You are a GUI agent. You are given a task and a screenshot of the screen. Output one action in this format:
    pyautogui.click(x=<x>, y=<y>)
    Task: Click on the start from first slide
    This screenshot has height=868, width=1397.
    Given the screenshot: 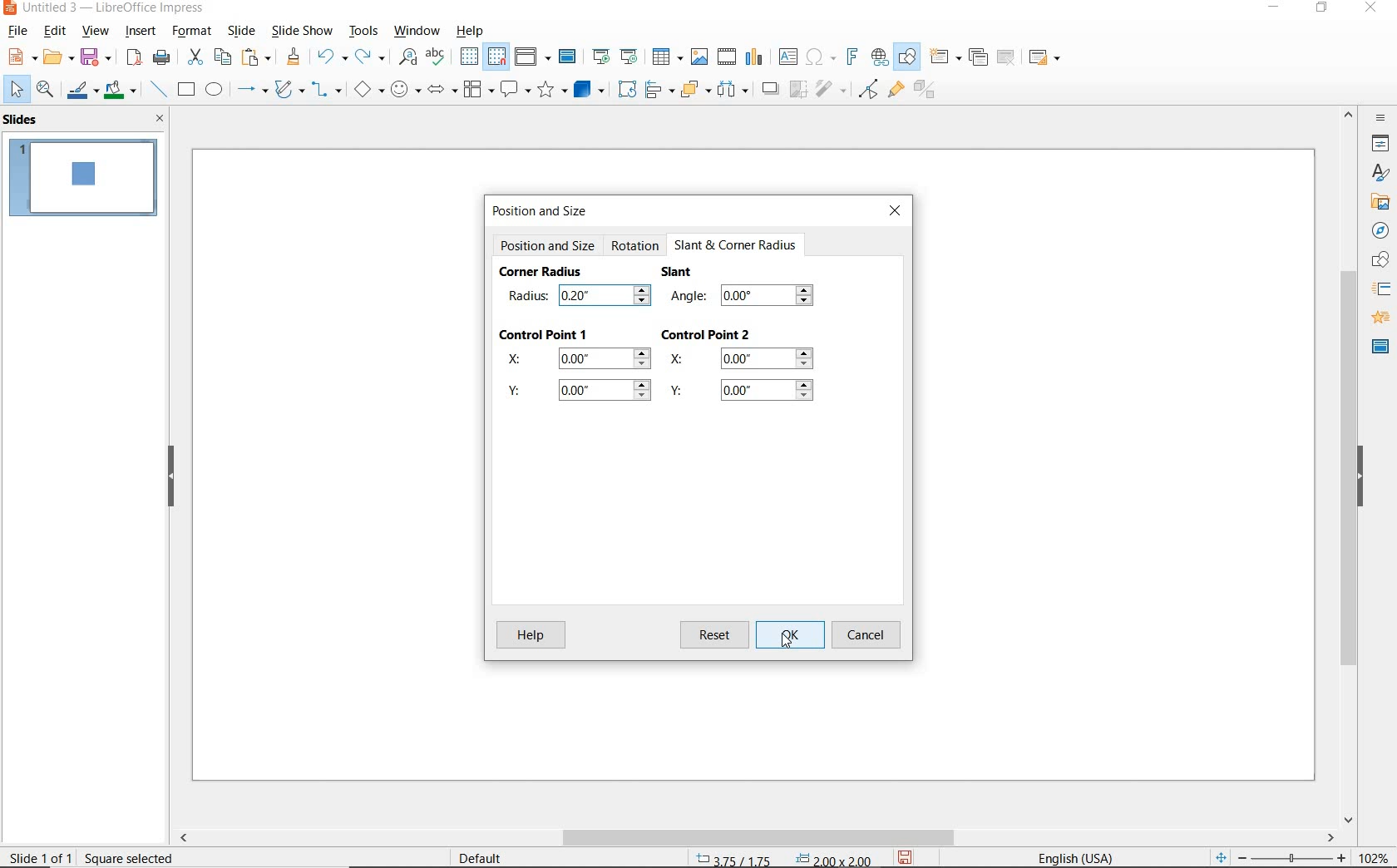 What is the action you would take?
    pyautogui.click(x=602, y=54)
    